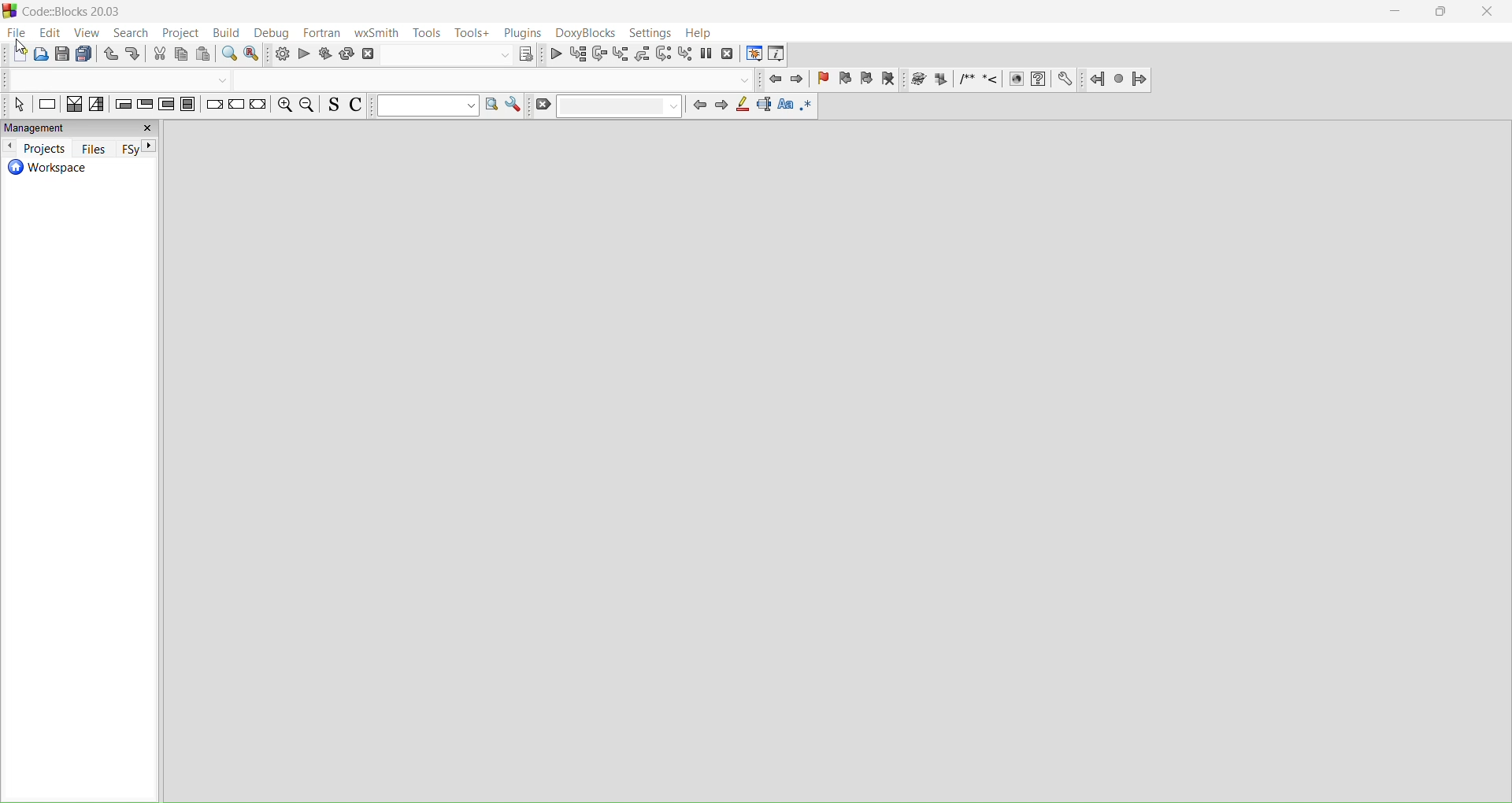 This screenshot has width=1512, height=803. What do you see at coordinates (847, 80) in the screenshot?
I see `previous bookmark` at bounding box center [847, 80].